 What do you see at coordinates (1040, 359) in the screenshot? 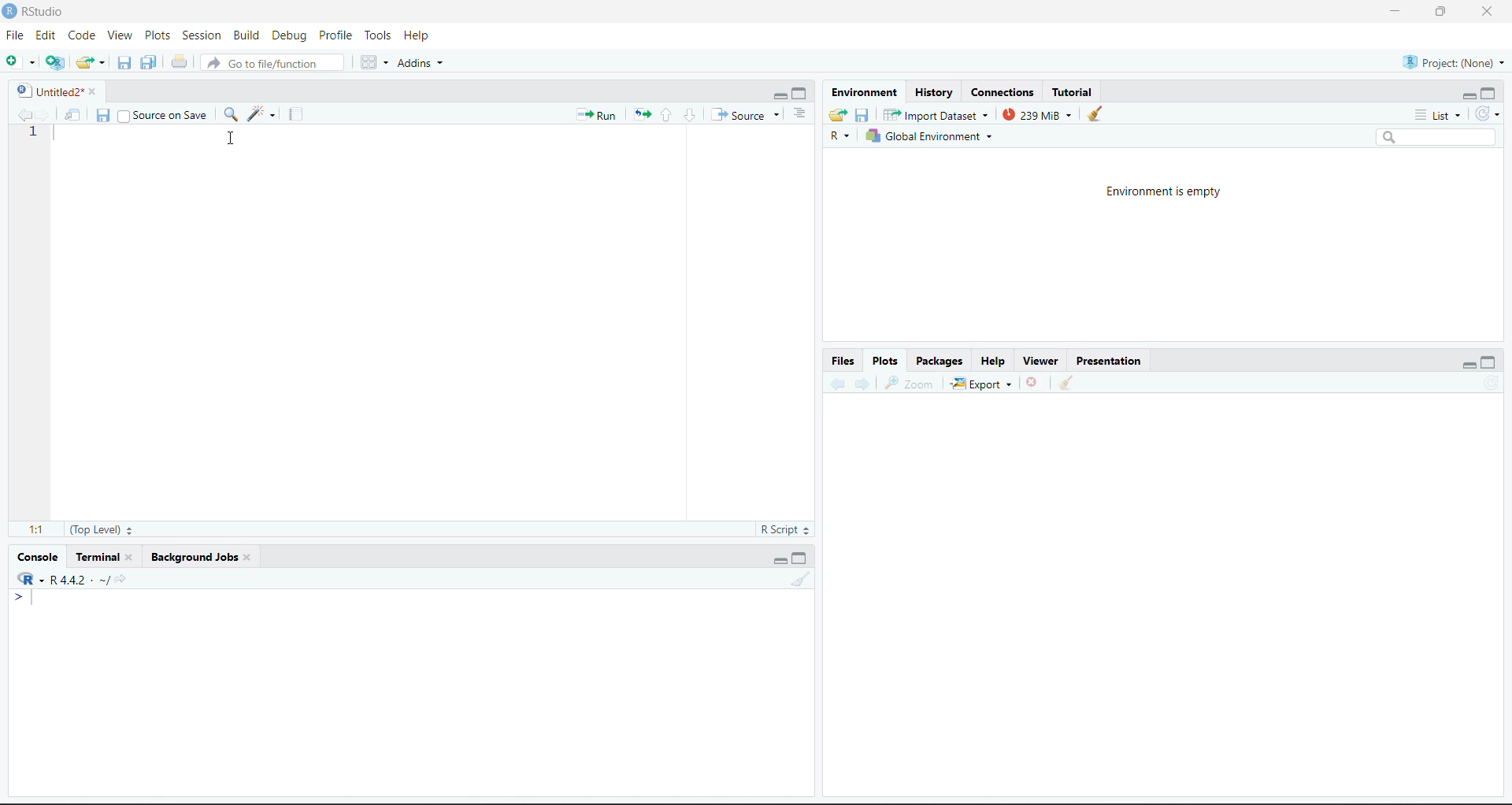
I see `Viewer` at bounding box center [1040, 359].